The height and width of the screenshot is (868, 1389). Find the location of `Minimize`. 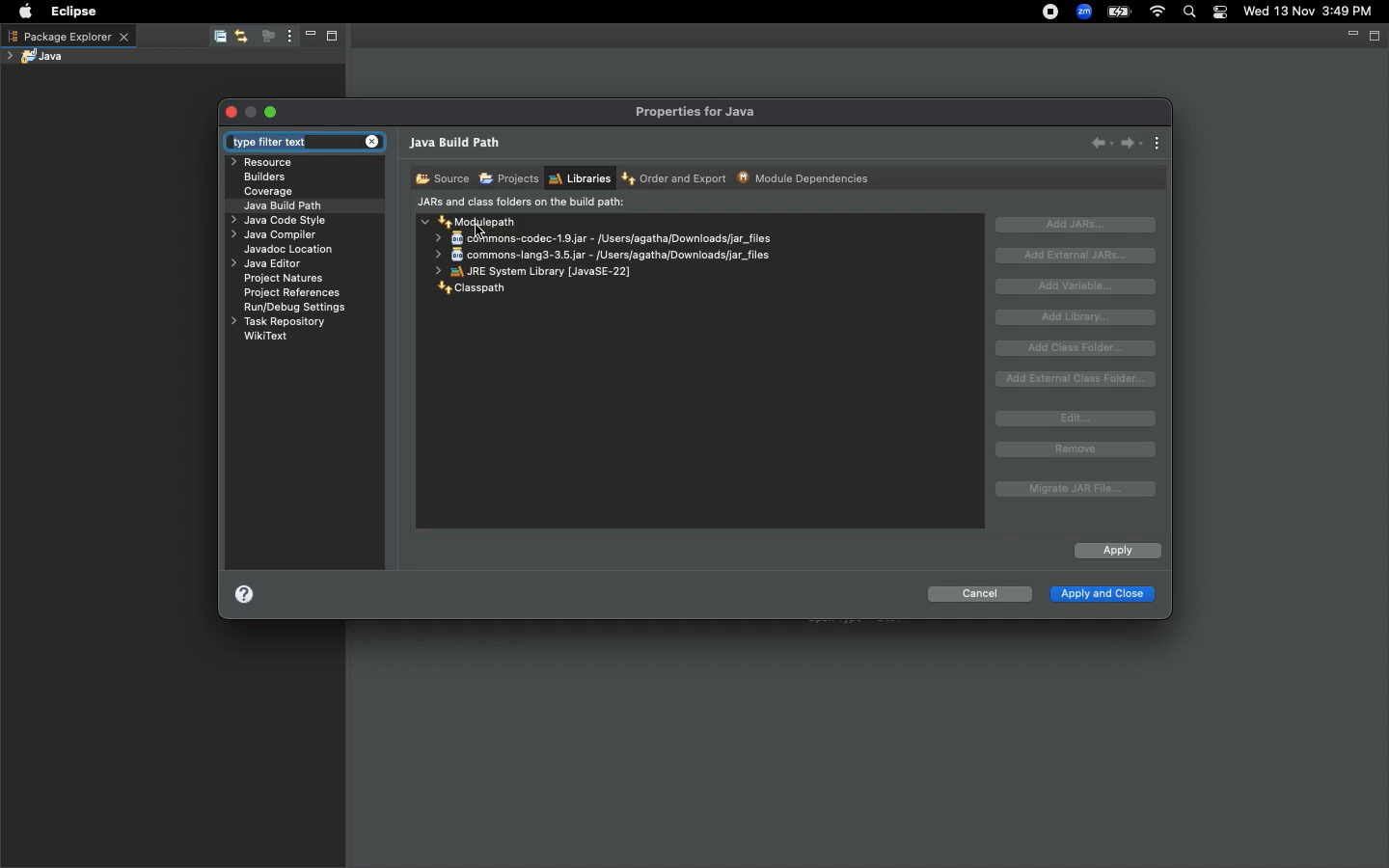

Minimize is located at coordinates (1350, 38).